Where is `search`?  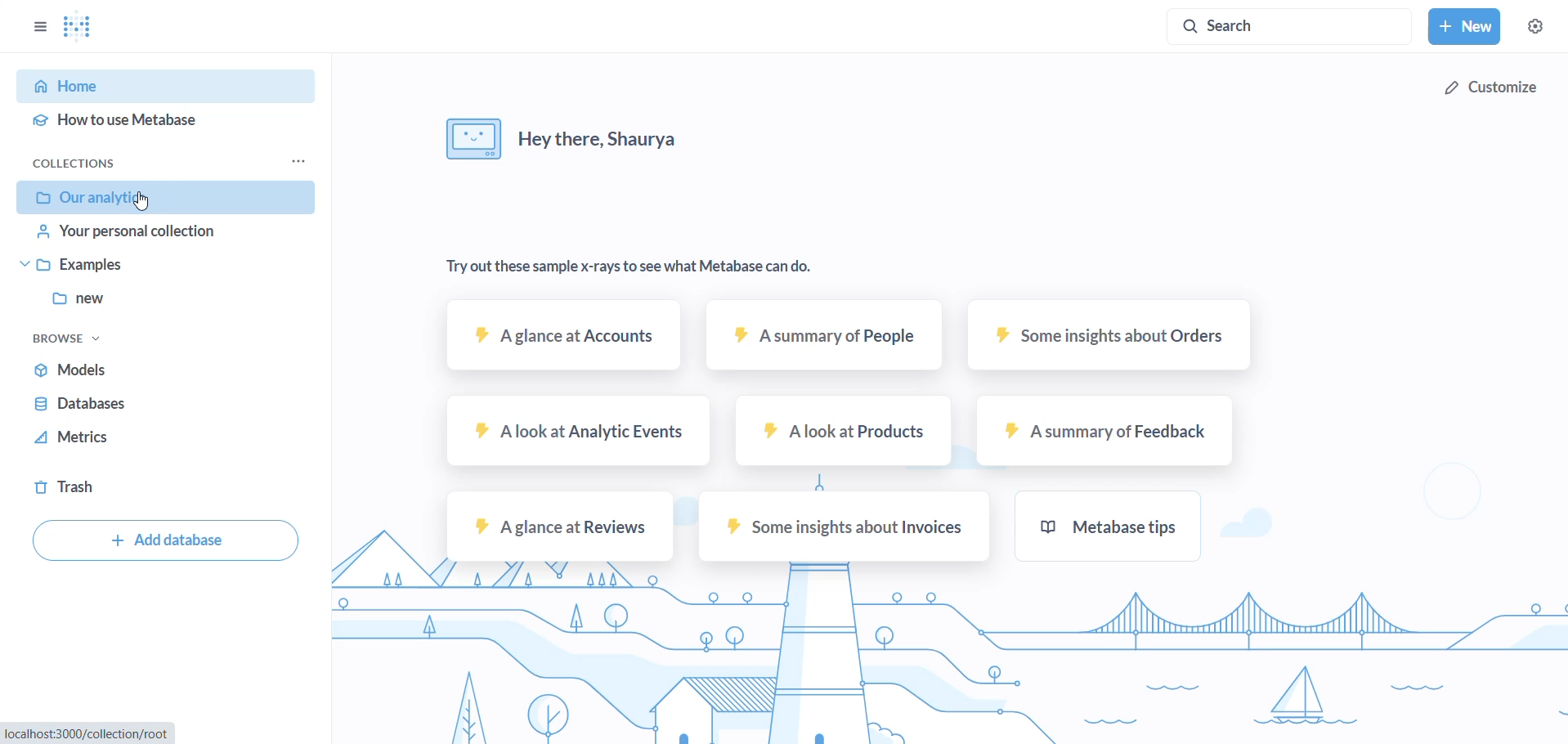
search is located at coordinates (1286, 25).